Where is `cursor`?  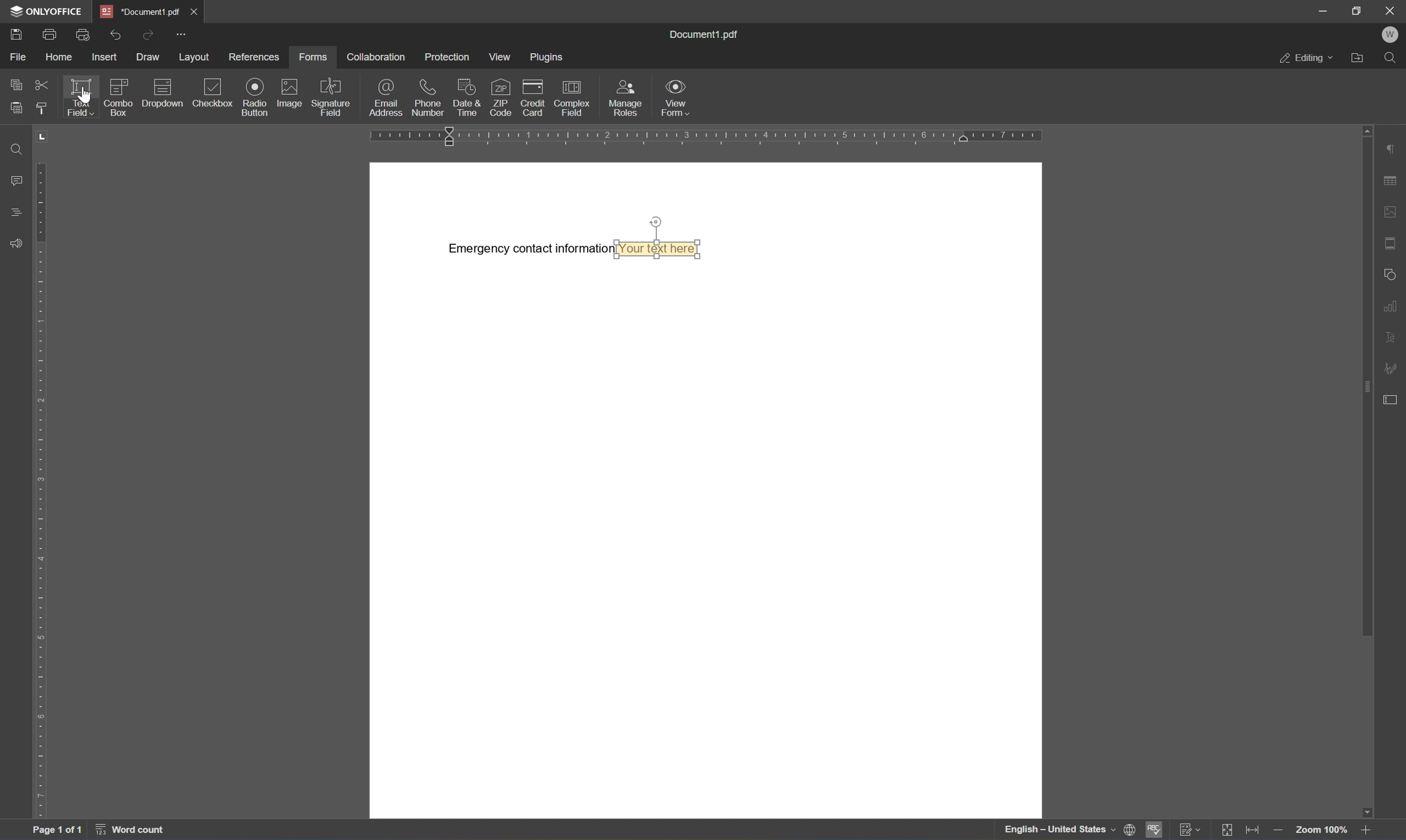
cursor is located at coordinates (86, 96).